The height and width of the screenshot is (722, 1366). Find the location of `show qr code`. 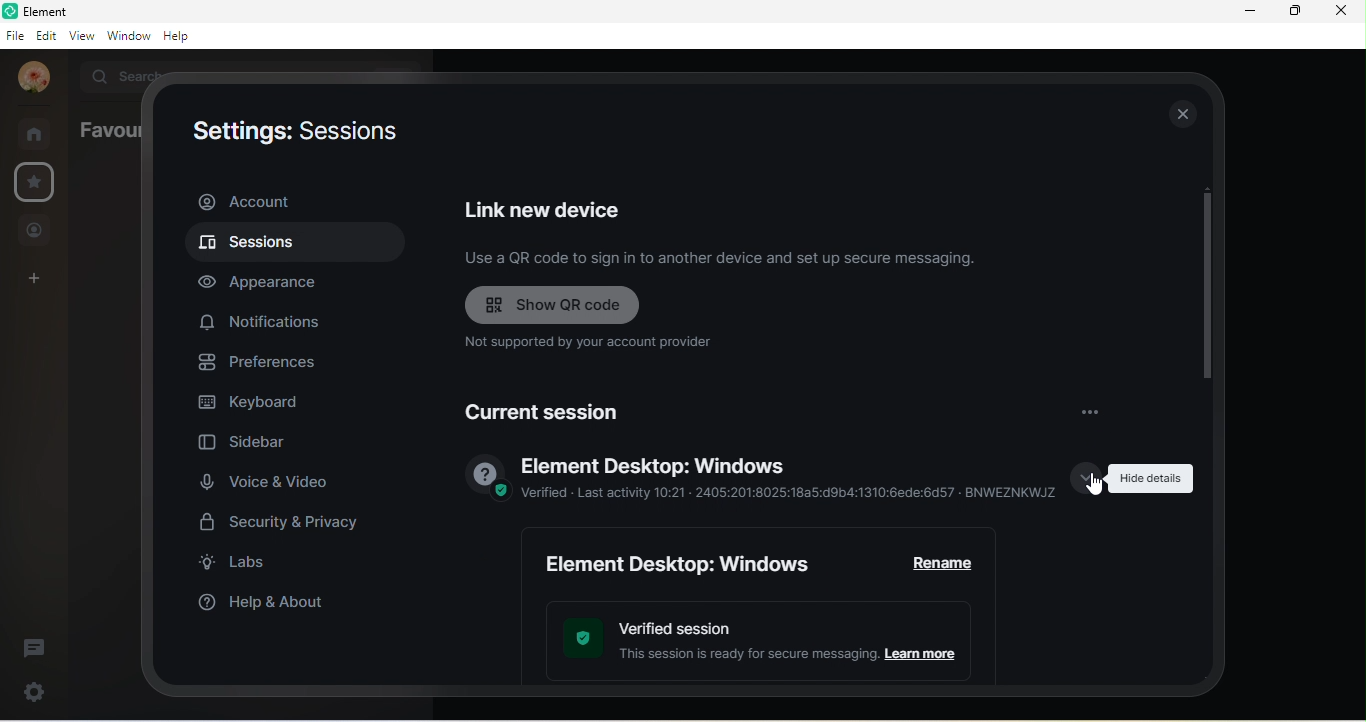

show qr code is located at coordinates (552, 304).